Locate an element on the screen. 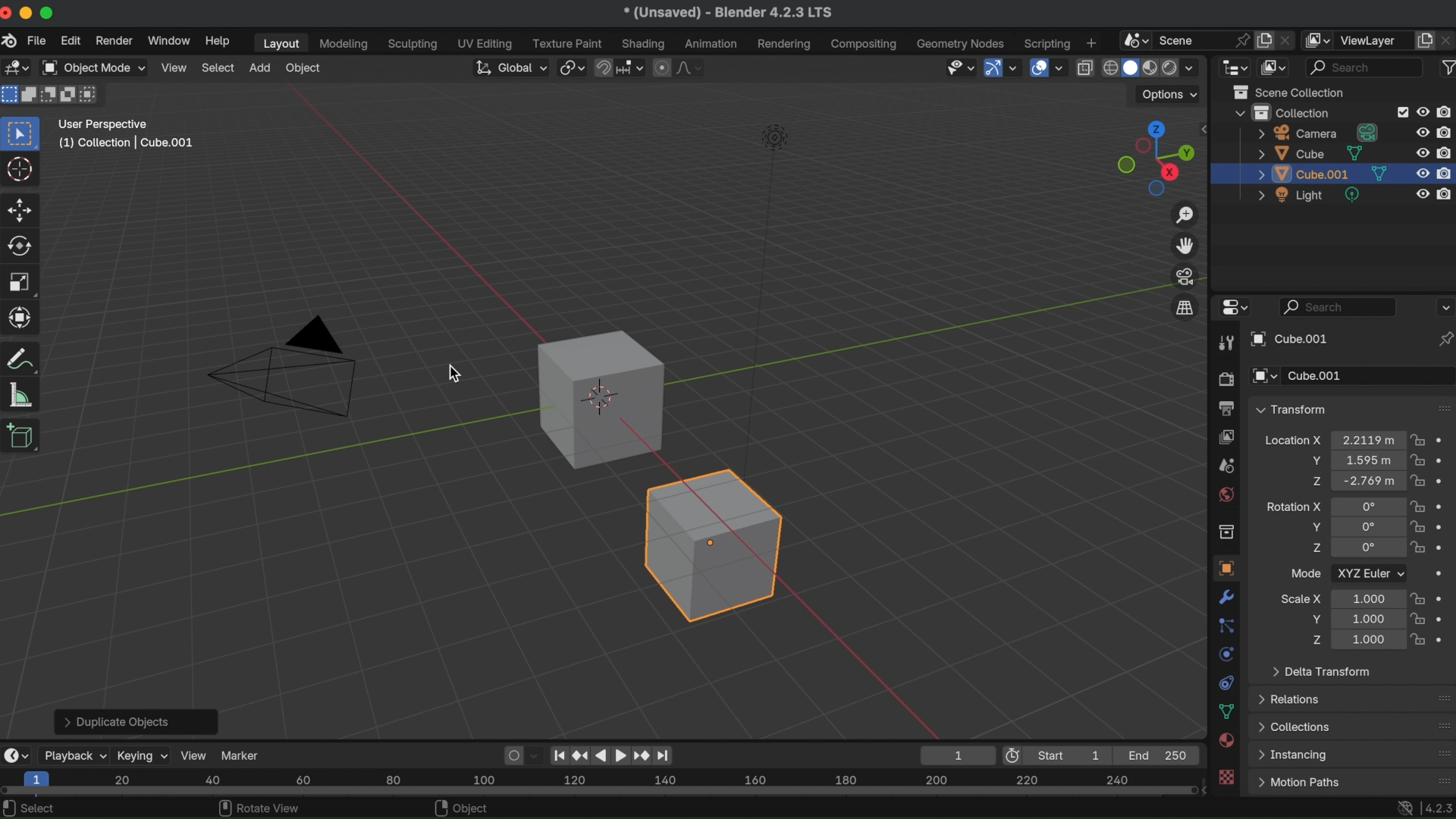 Image resolution: width=1456 pixels, height=819 pixels. show overlays is located at coordinates (1037, 67).